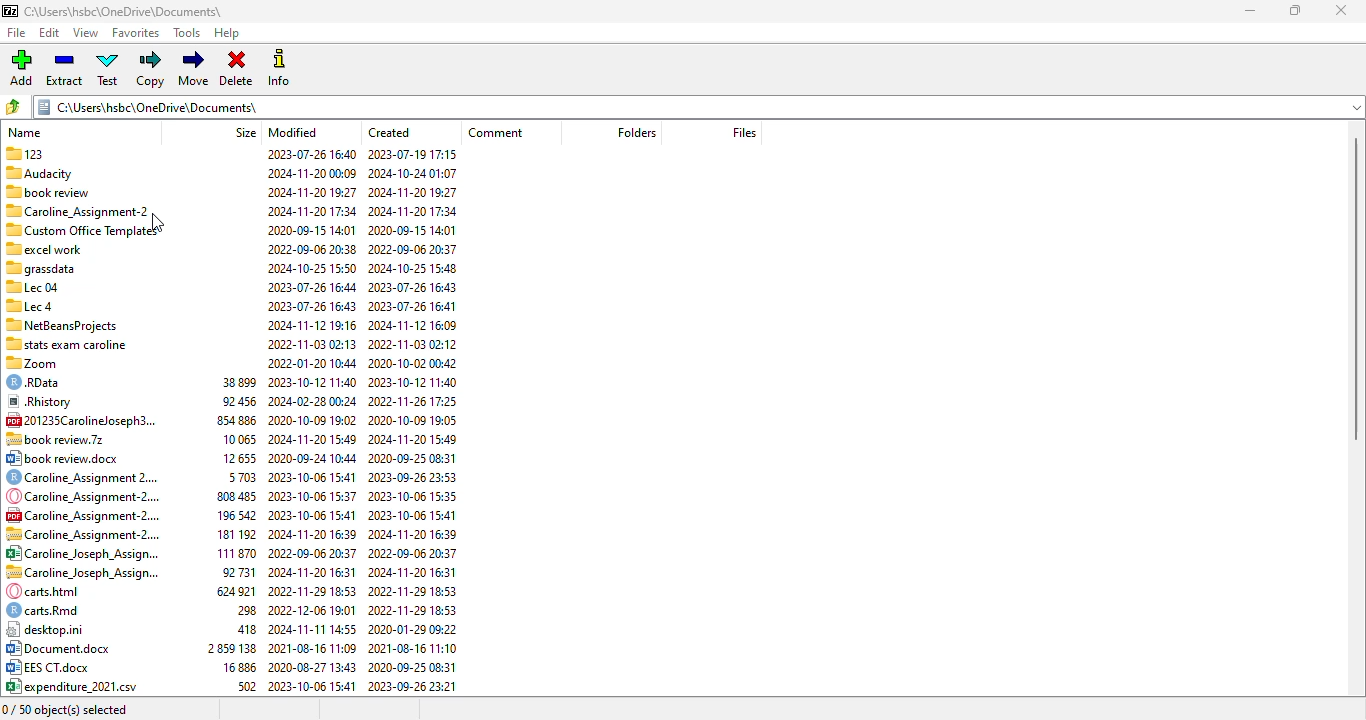 This screenshot has height=720, width=1366. What do you see at coordinates (9, 11) in the screenshot?
I see `7 zip logo` at bounding box center [9, 11].